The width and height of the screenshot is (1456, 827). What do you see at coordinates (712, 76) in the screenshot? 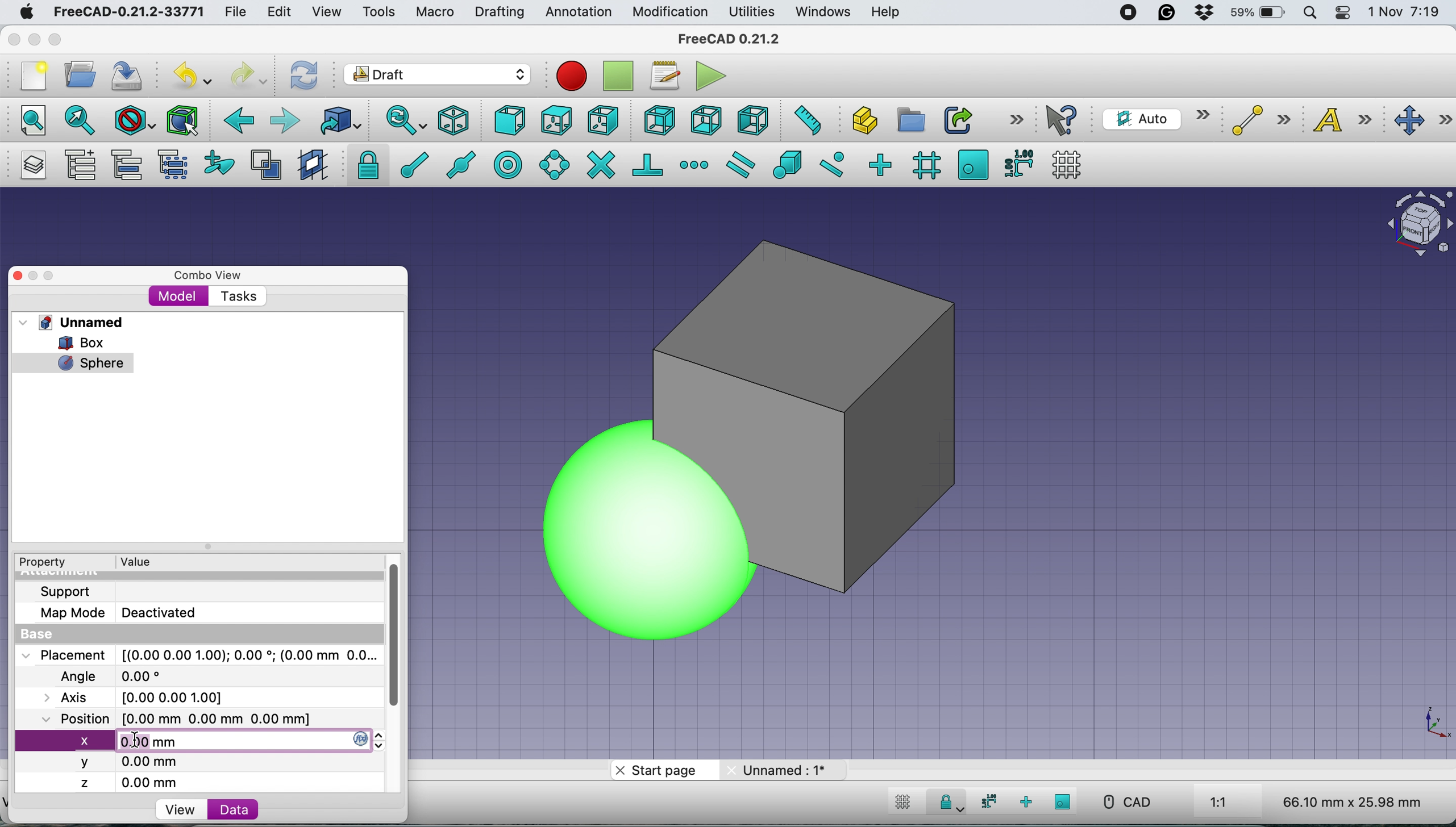
I see `execute macros` at bounding box center [712, 76].